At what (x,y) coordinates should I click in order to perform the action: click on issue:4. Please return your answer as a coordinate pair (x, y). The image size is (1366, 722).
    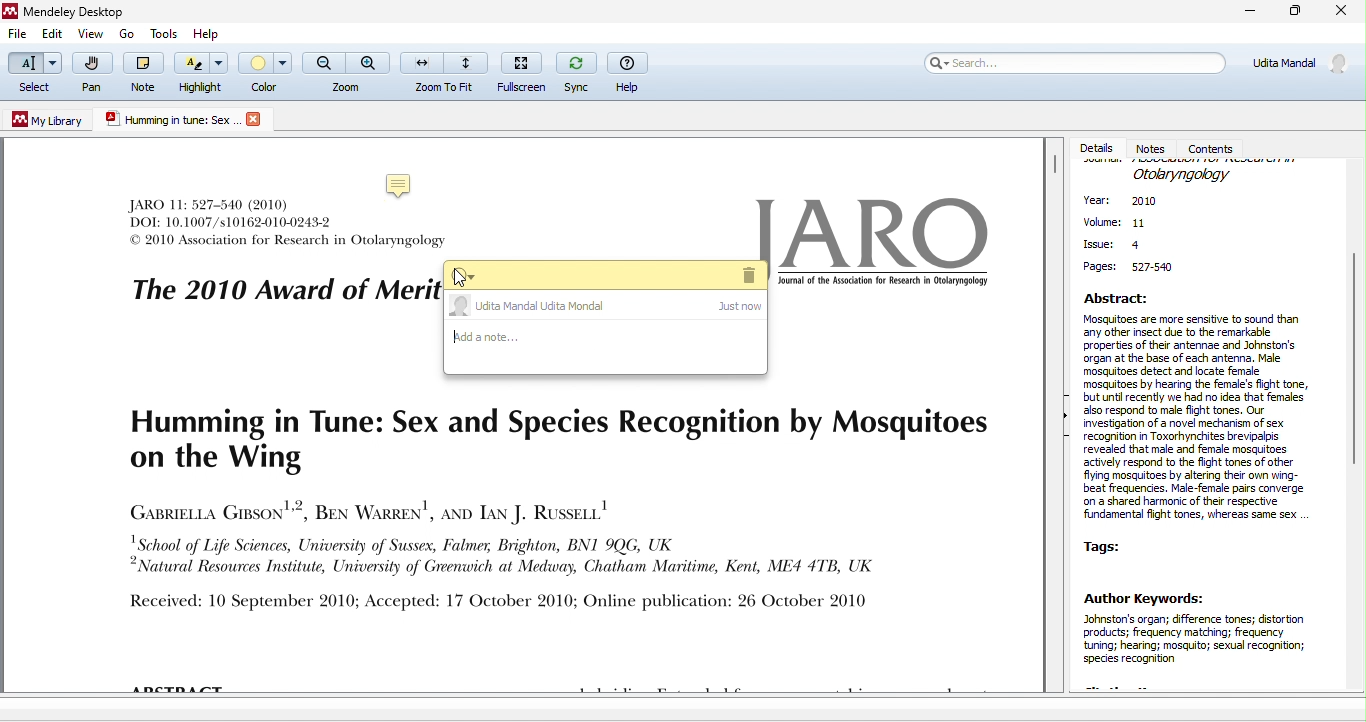
    Looking at the image, I should click on (1113, 243).